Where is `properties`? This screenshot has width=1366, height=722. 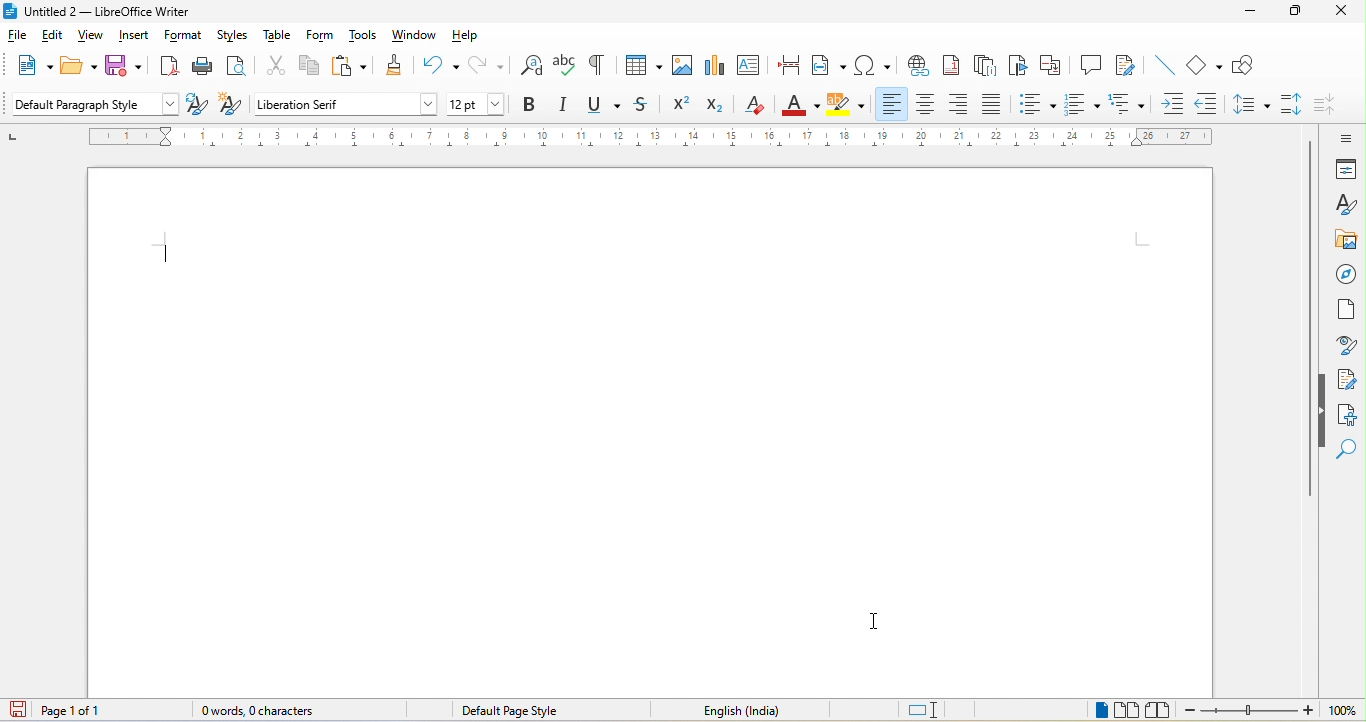
properties is located at coordinates (1343, 169).